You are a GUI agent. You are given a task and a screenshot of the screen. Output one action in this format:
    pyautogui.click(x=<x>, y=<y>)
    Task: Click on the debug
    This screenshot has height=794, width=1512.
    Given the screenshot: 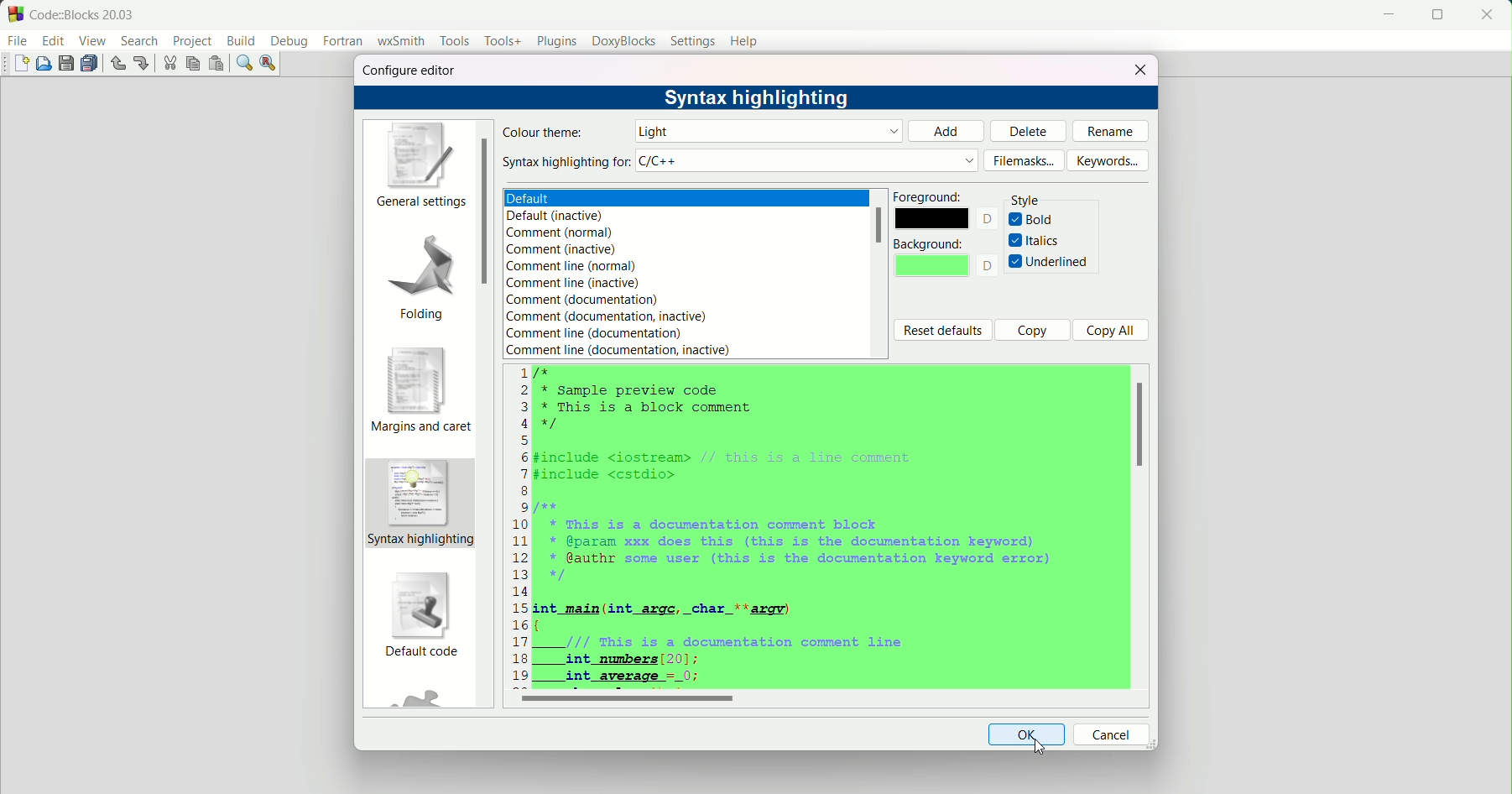 What is the action you would take?
    pyautogui.click(x=290, y=43)
    